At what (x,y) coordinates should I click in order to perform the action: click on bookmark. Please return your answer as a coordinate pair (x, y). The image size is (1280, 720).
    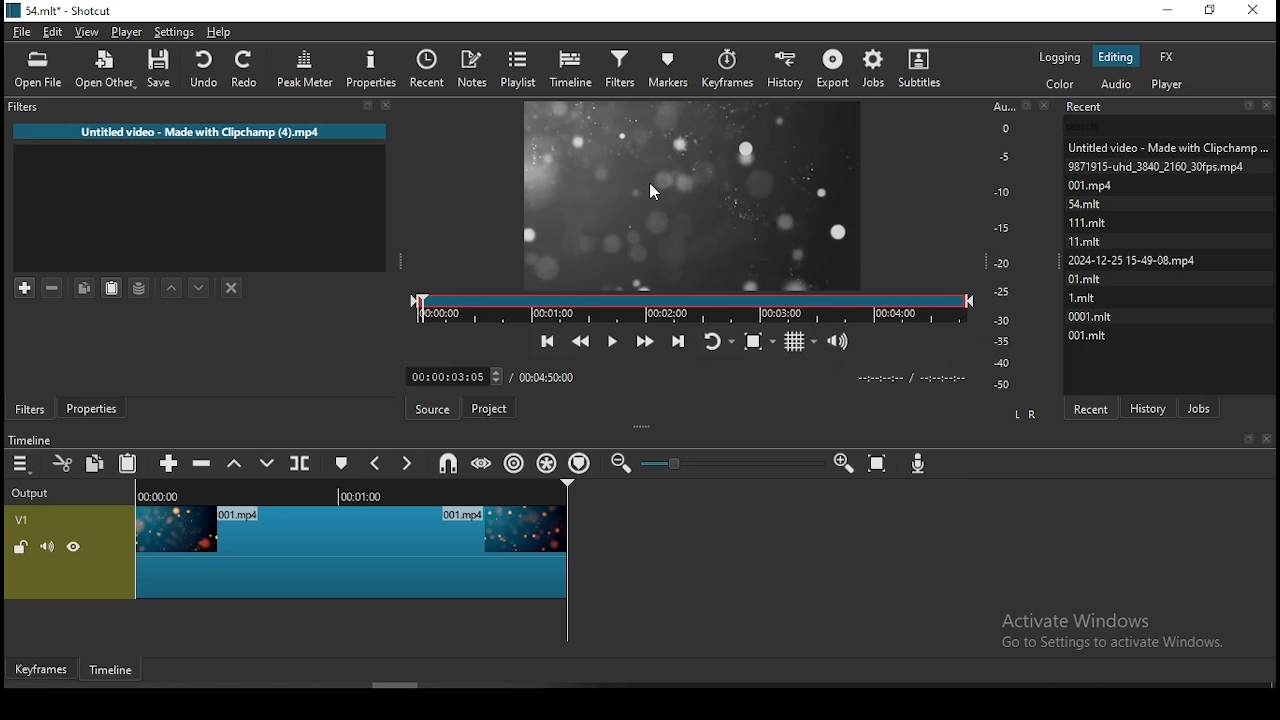
    Looking at the image, I should click on (1246, 438).